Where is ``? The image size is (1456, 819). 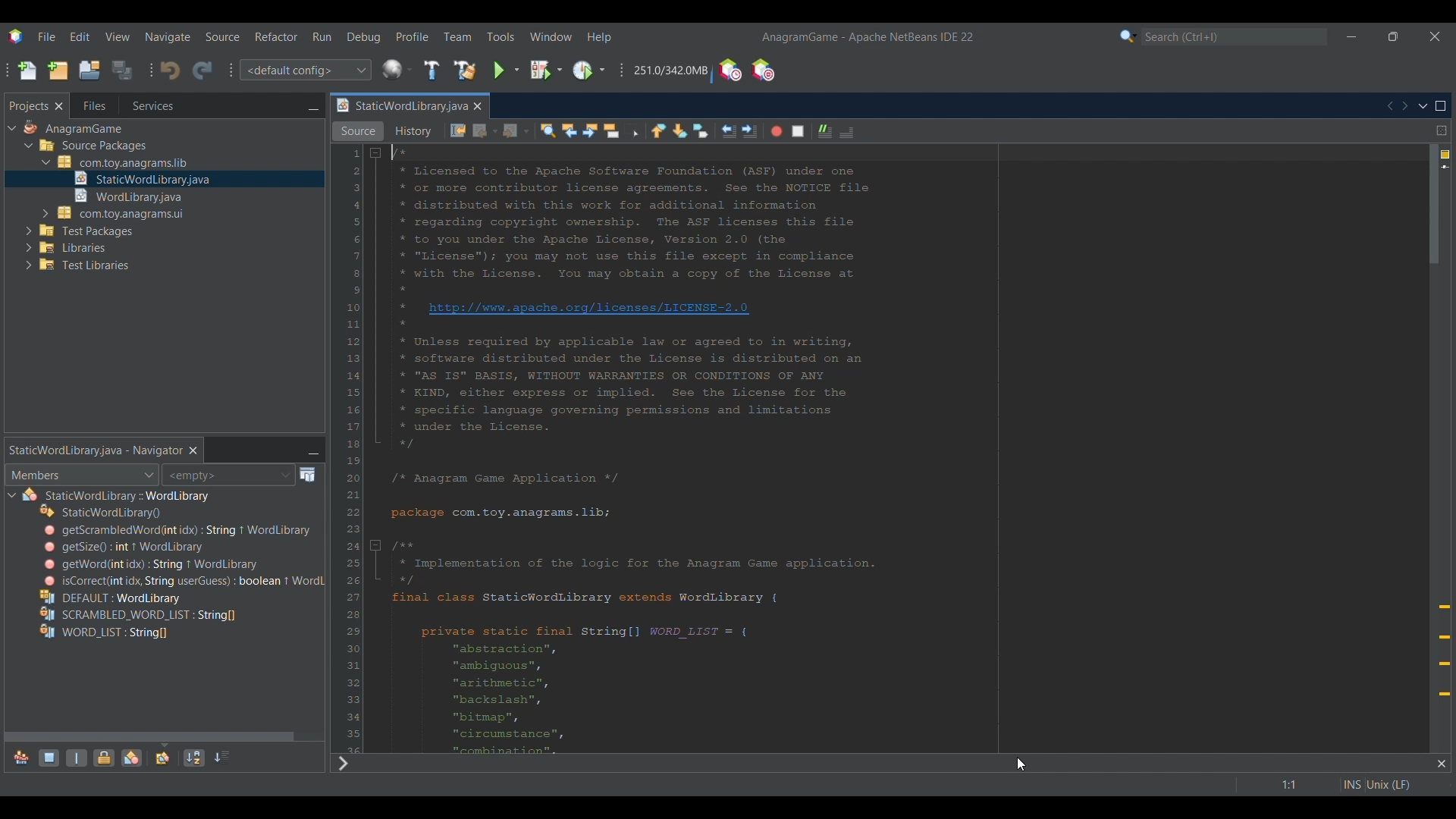  is located at coordinates (123, 212).